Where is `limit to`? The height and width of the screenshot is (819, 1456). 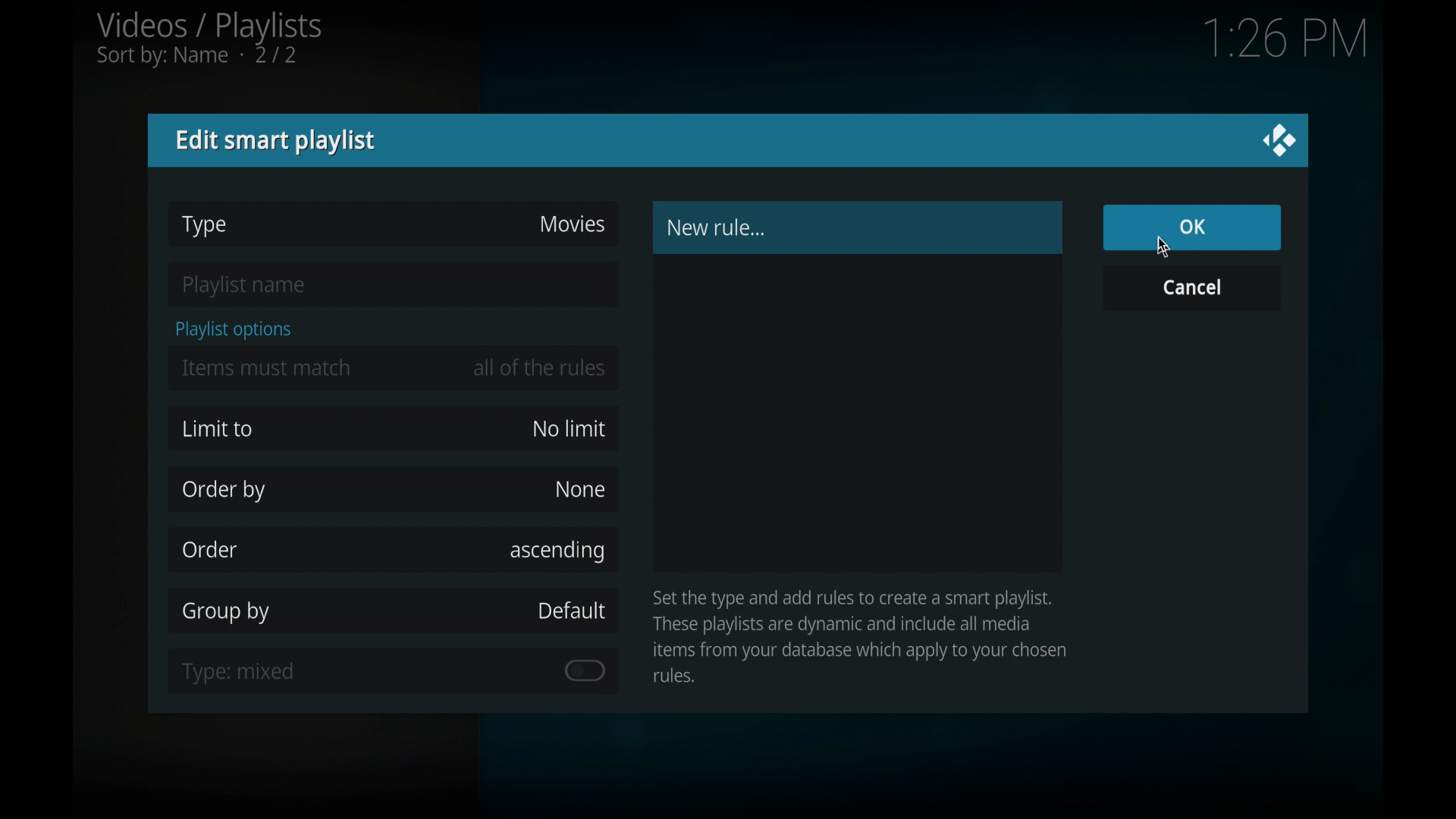 limit to is located at coordinates (218, 429).